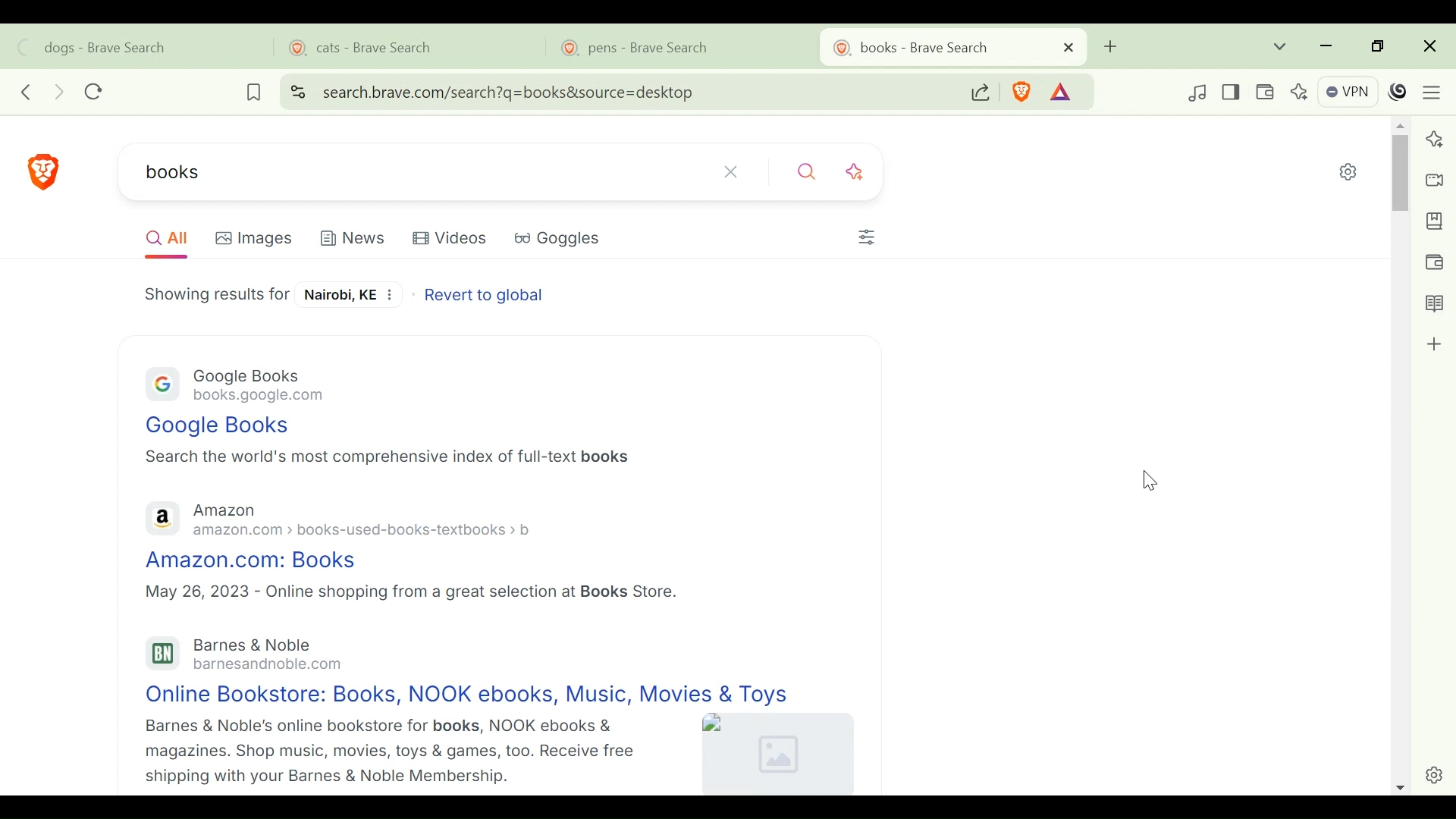  I want to click on dogs - Brave Search, so click(136, 49).